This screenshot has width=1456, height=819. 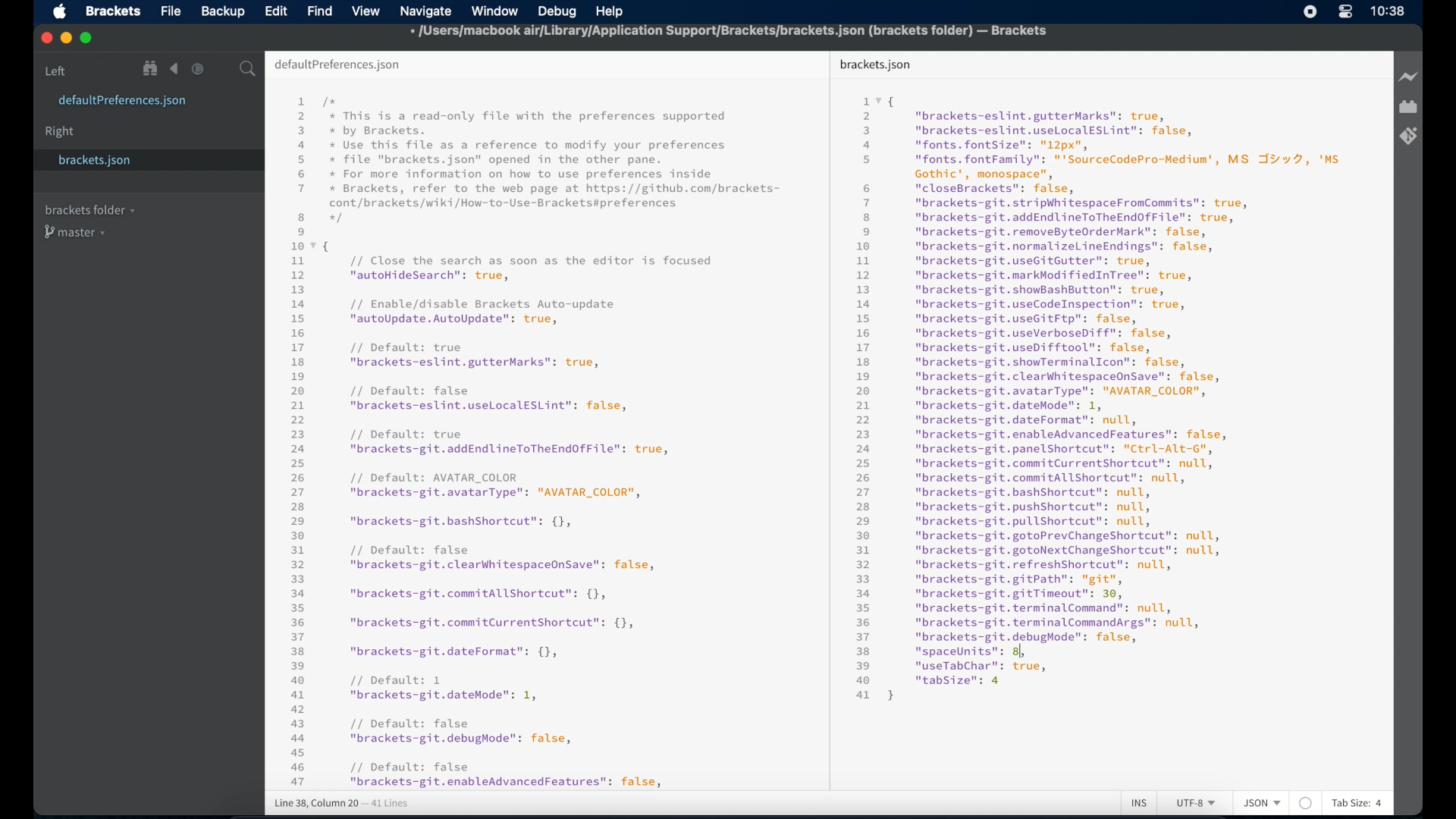 I want to click on line  38,  column 20 - 41 lines, so click(x=342, y=804).